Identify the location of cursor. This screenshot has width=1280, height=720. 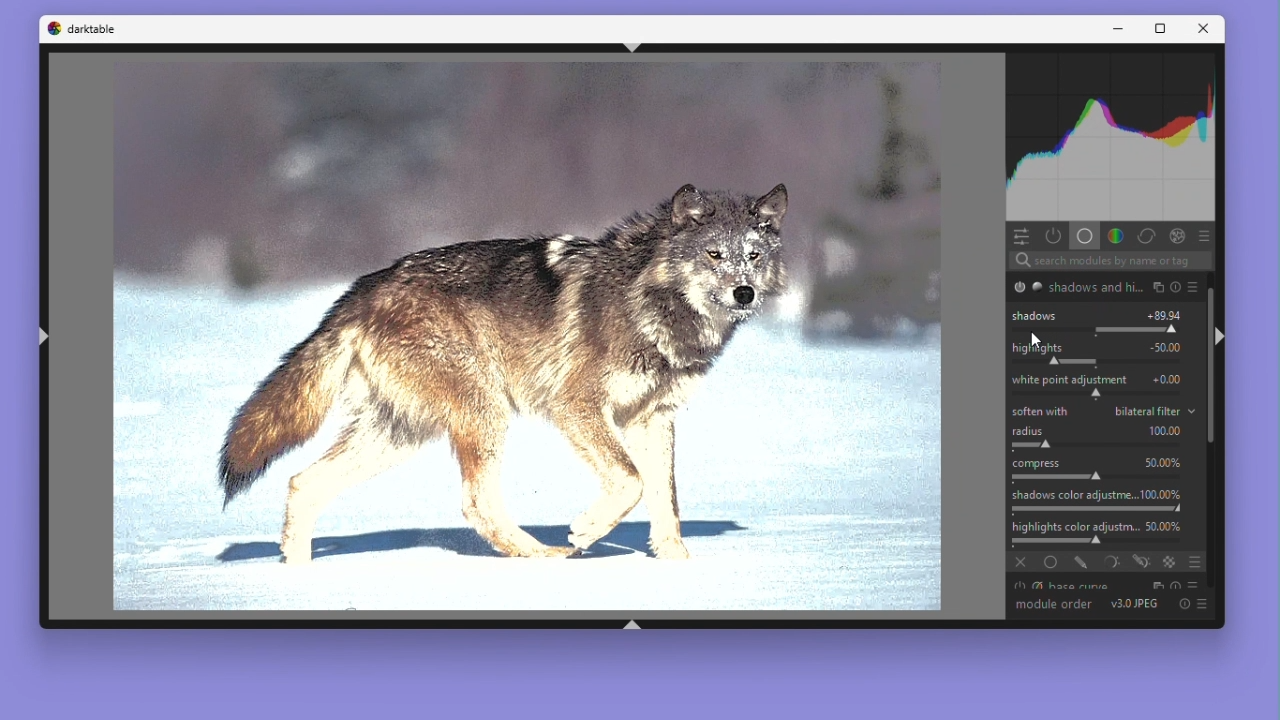
(1035, 341).